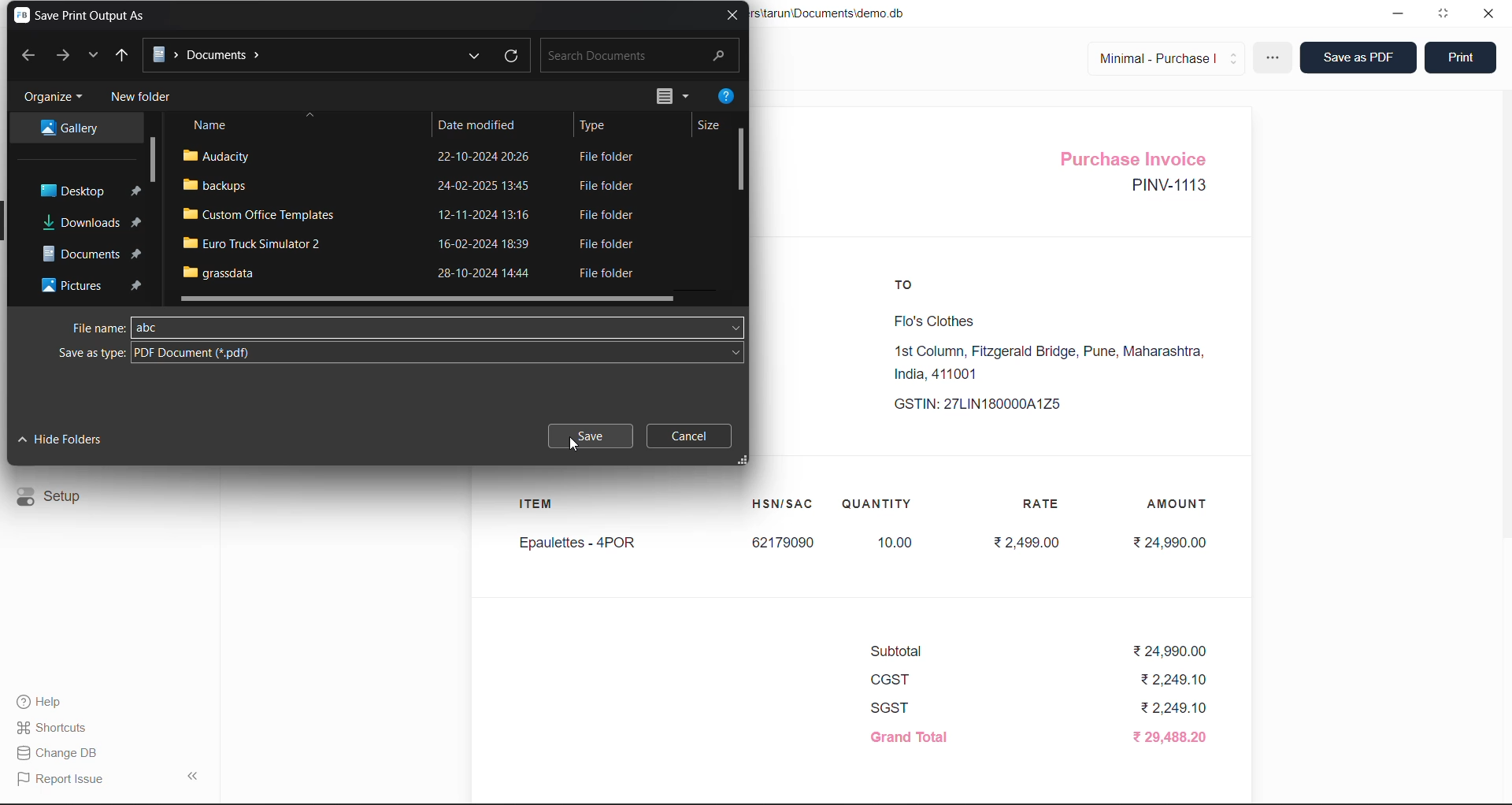  What do you see at coordinates (480, 125) in the screenshot?
I see `Date modified` at bounding box center [480, 125].